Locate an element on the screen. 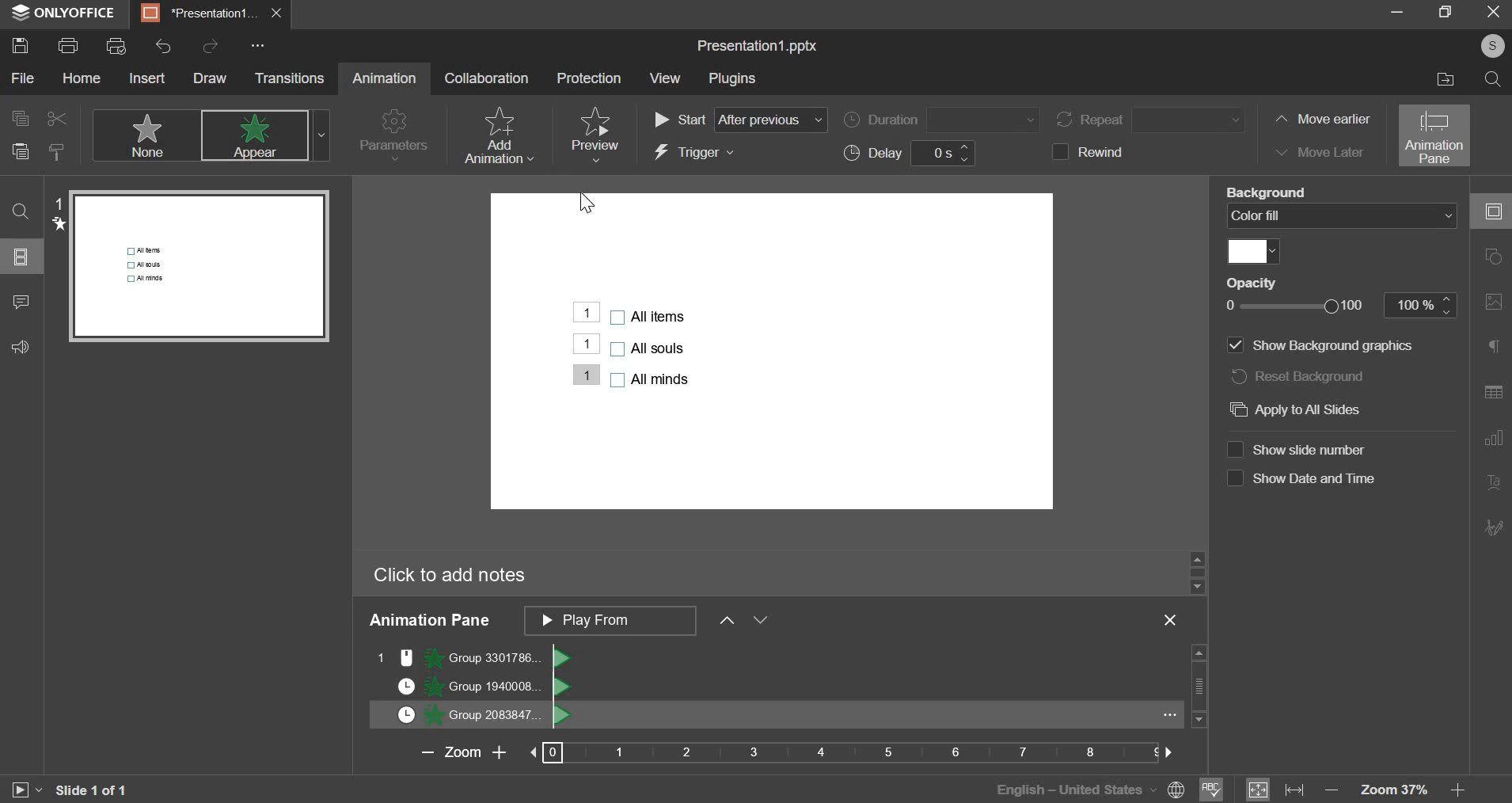 Image resolution: width=1512 pixels, height=803 pixels. file name is located at coordinates (758, 47).